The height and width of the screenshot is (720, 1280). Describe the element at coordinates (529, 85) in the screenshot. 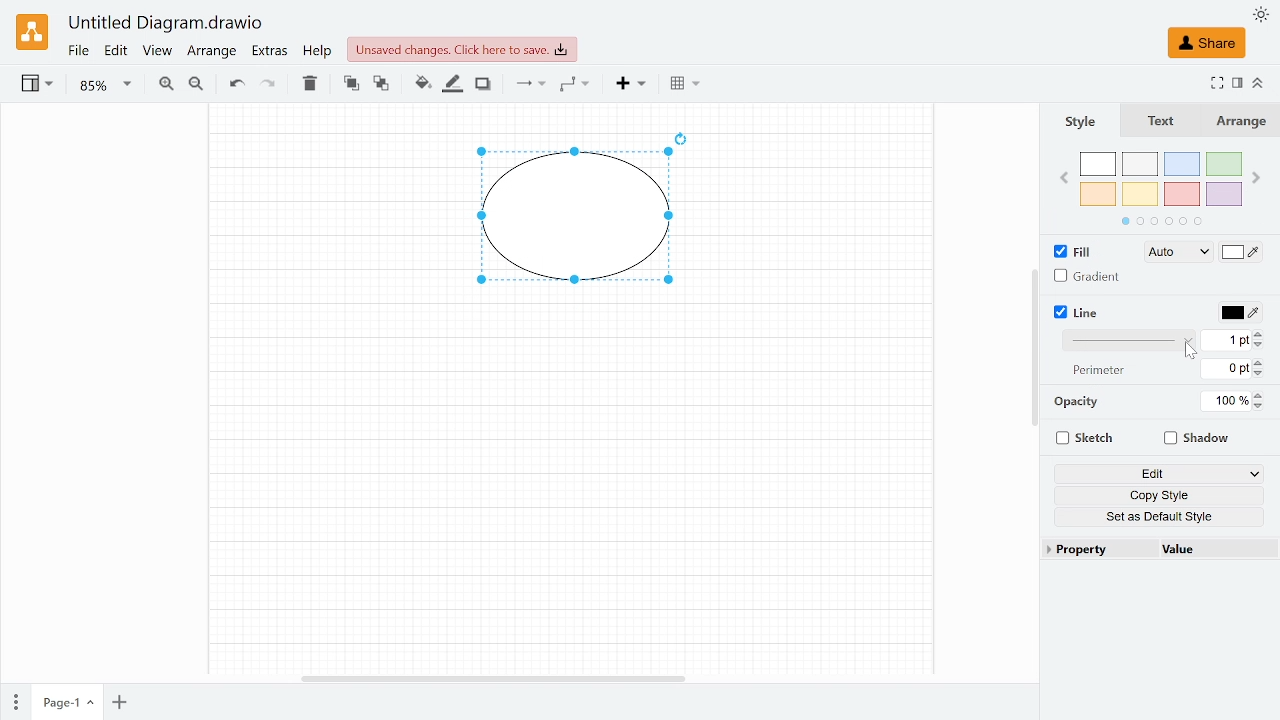

I see `Connections` at that location.